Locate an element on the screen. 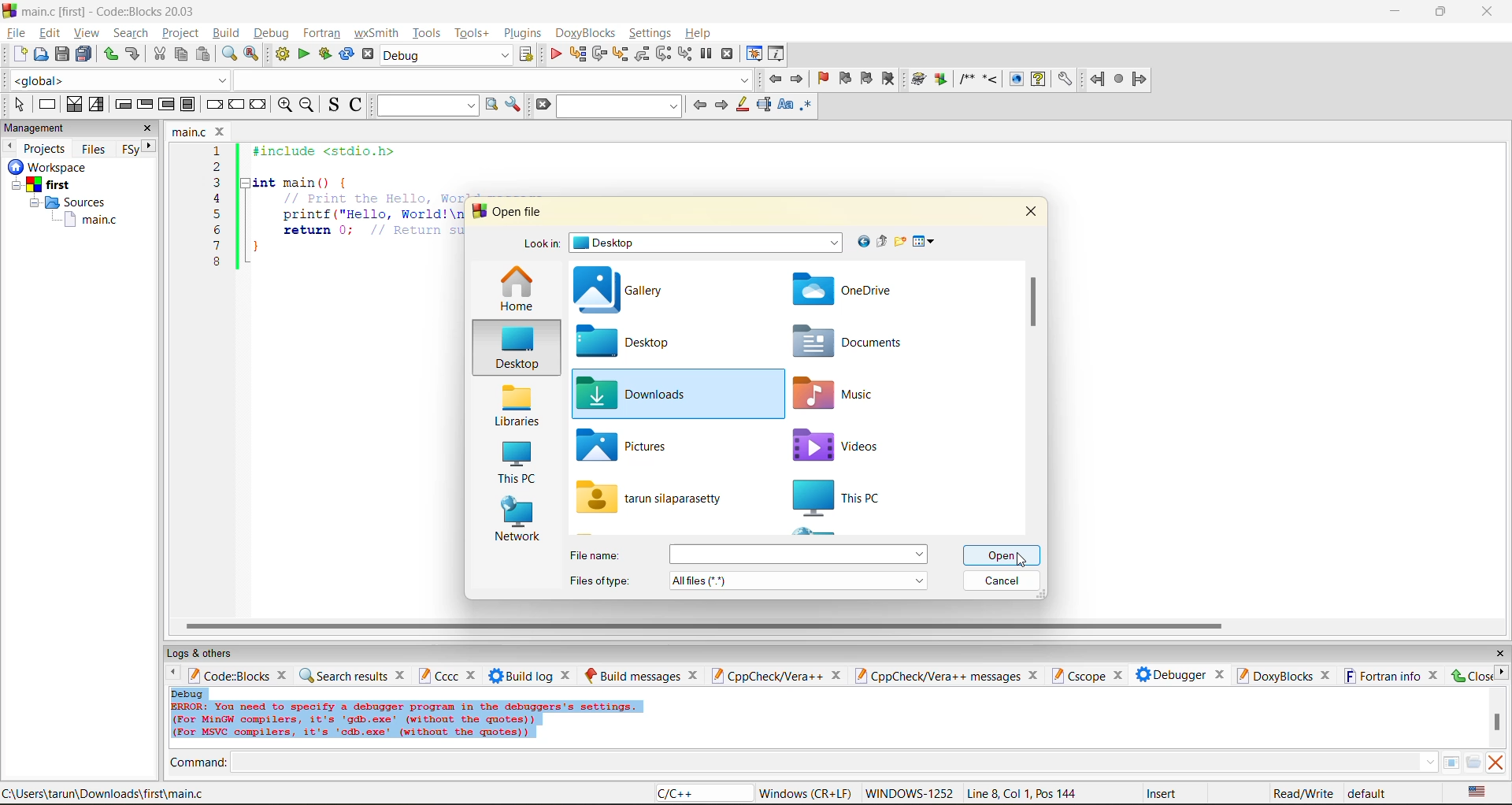 This screenshot has height=805, width=1512. next is located at coordinates (721, 105).